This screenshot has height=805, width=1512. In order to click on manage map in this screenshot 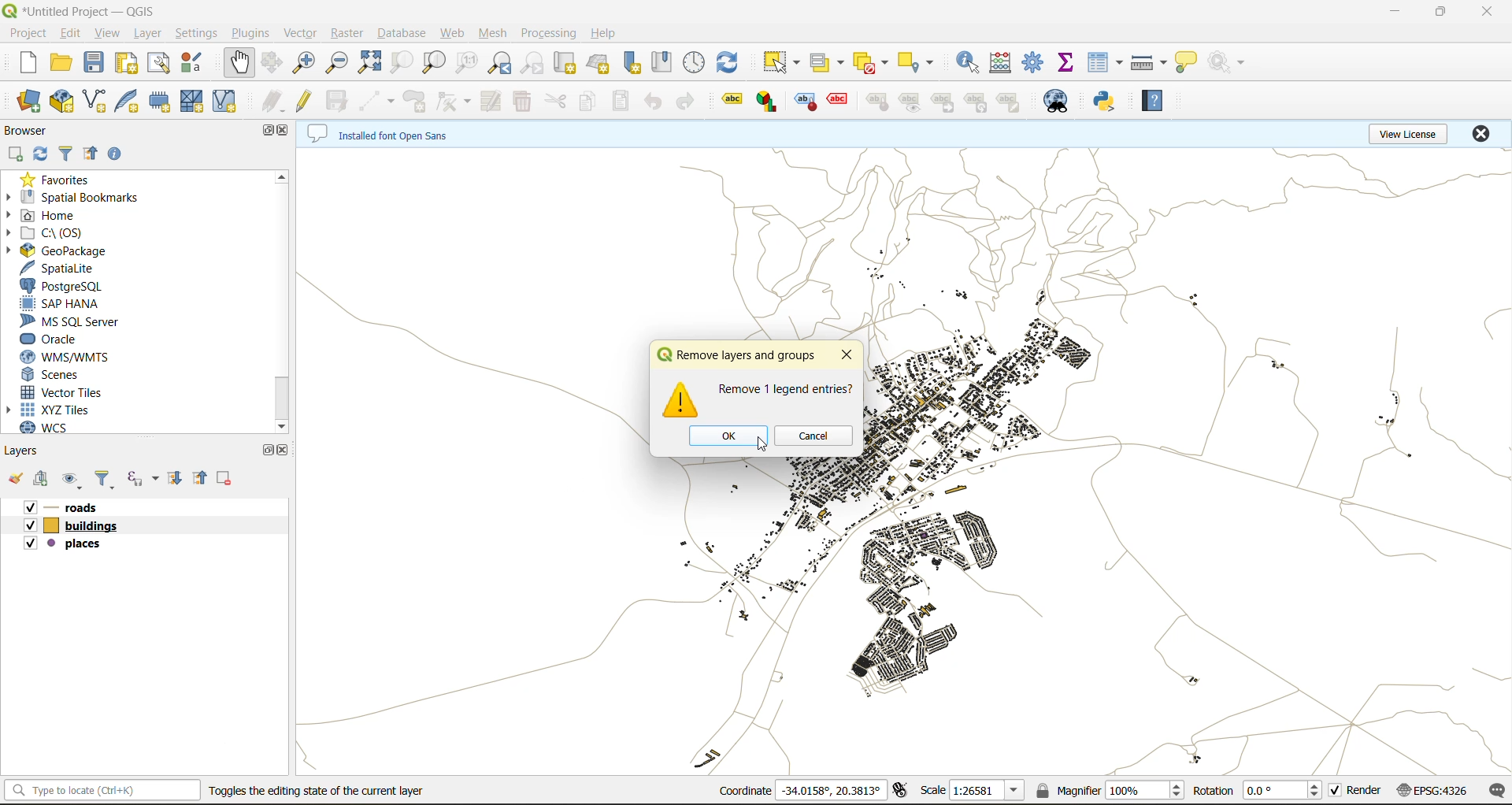, I will do `click(76, 480)`.